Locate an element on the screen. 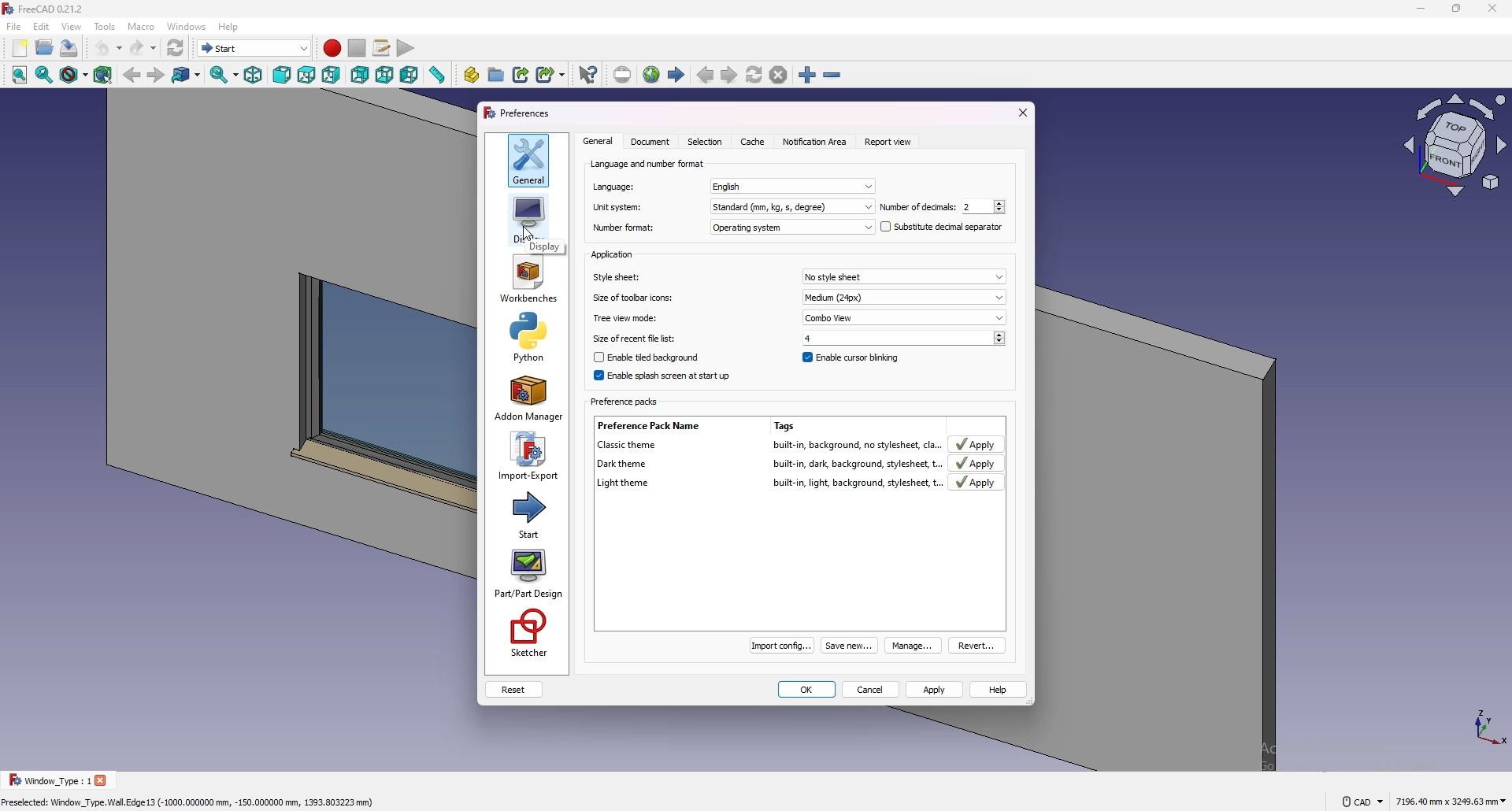 The image size is (1512, 811). Style sheet: is located at coordinates (617, 276).